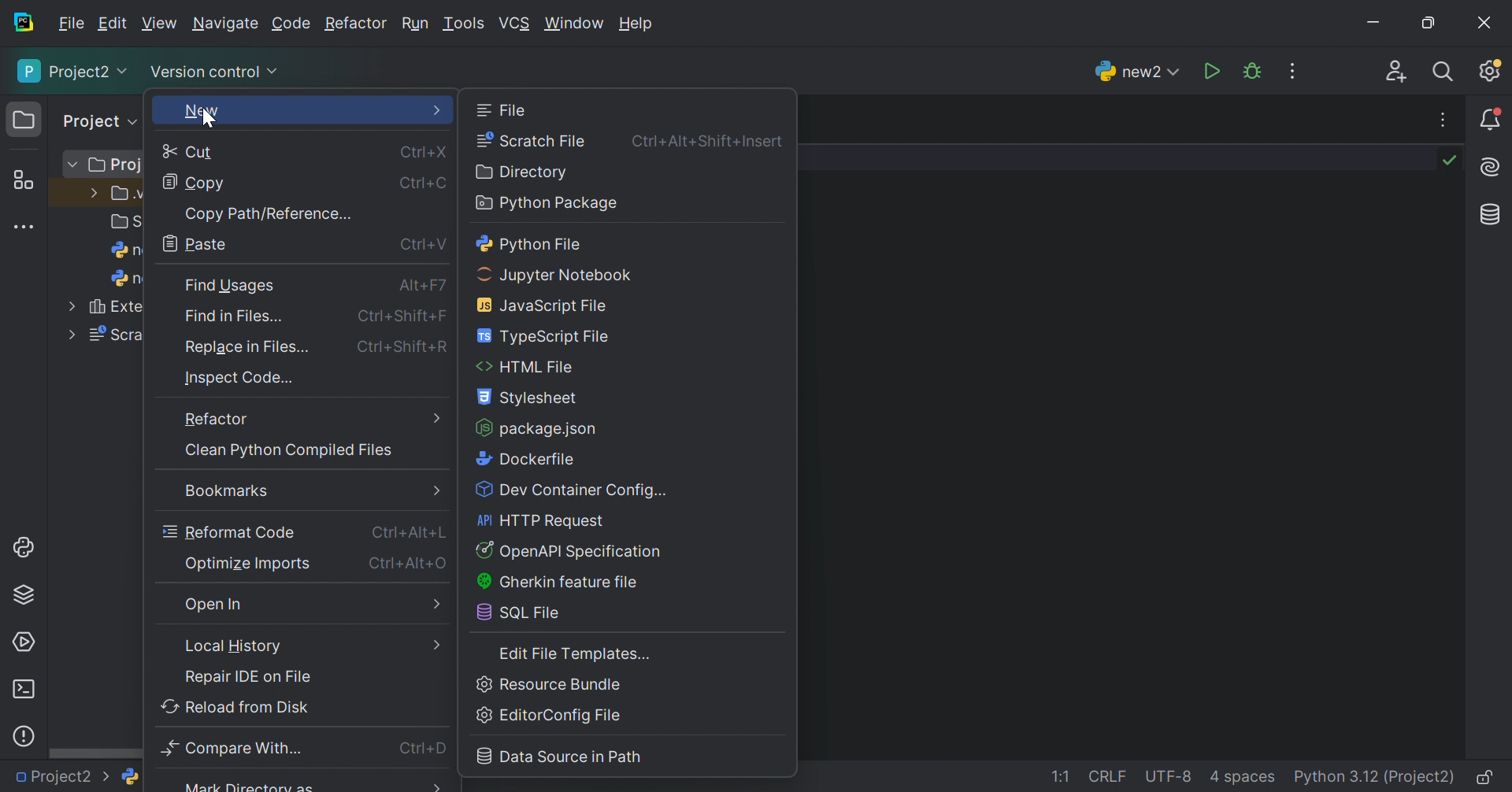 This screenshot has height=792, width=1512. What do you see at coordinates (291, 450) in the screenshot?
I see `Clean python compiled files` at bounding box center [291, 450].